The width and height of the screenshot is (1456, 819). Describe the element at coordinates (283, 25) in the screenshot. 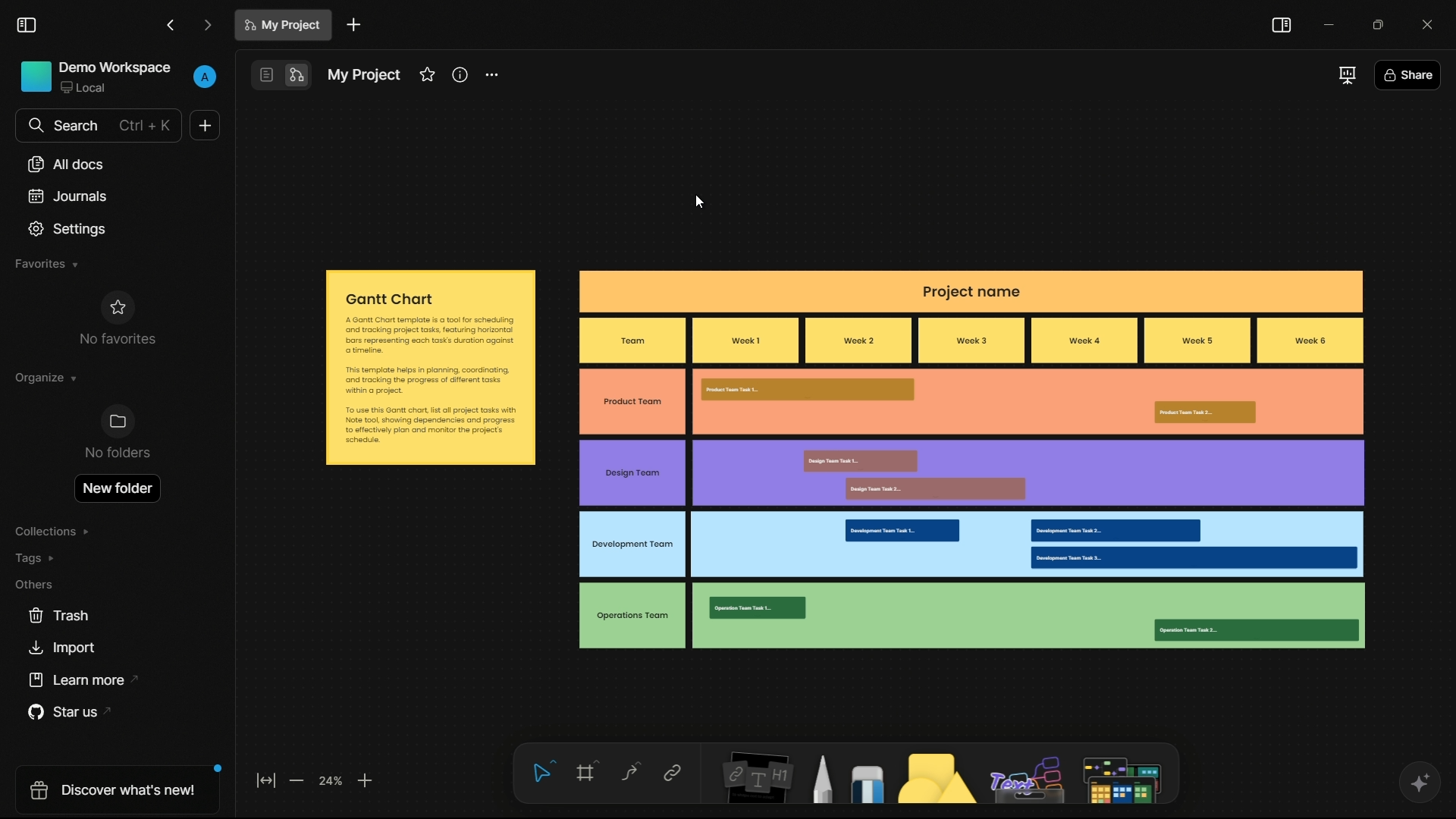

I see `document name` at that location.